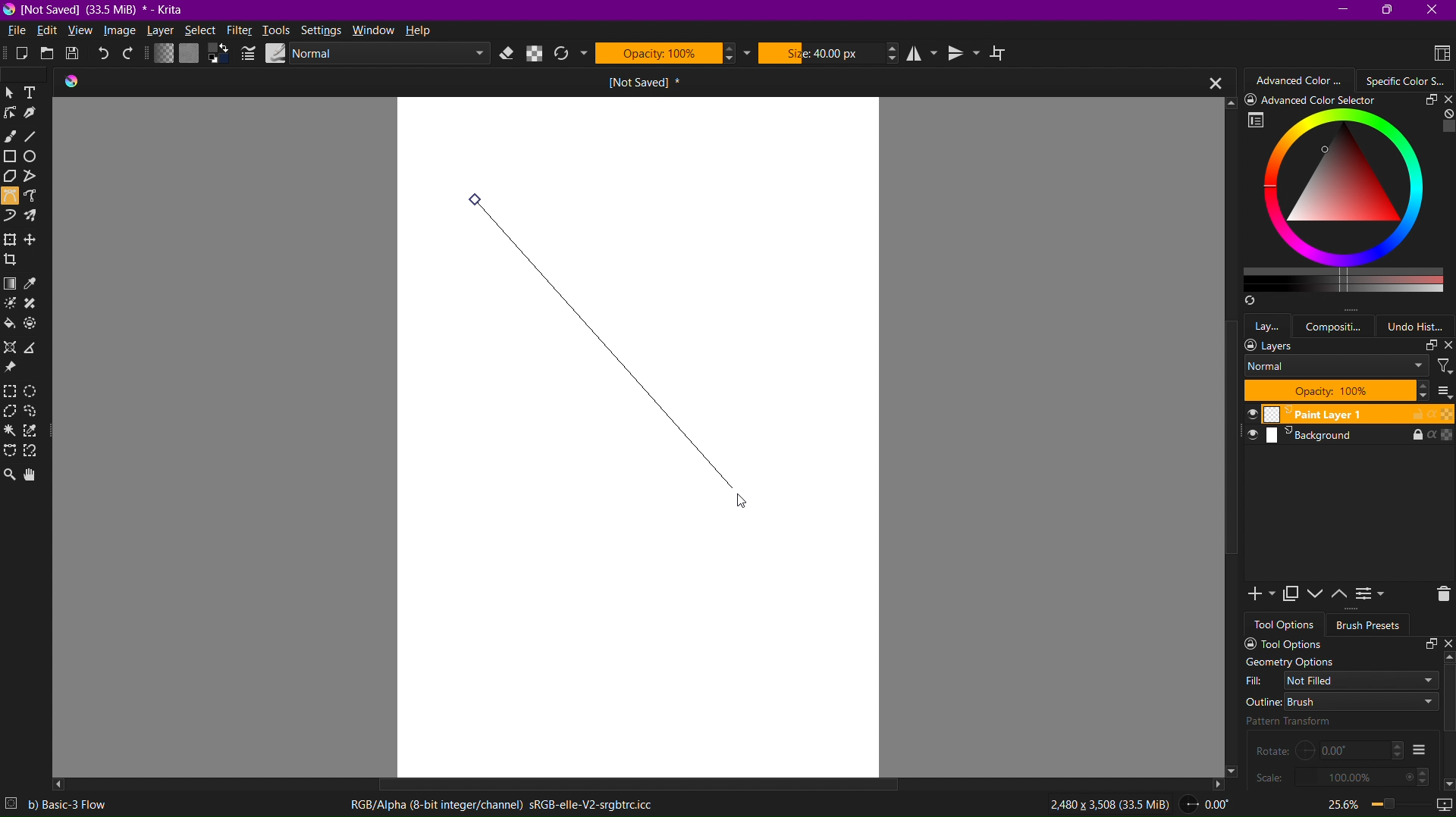 The width and height of the screenshot is (1456, 817). I want to click on Right, so click(1216, 783).